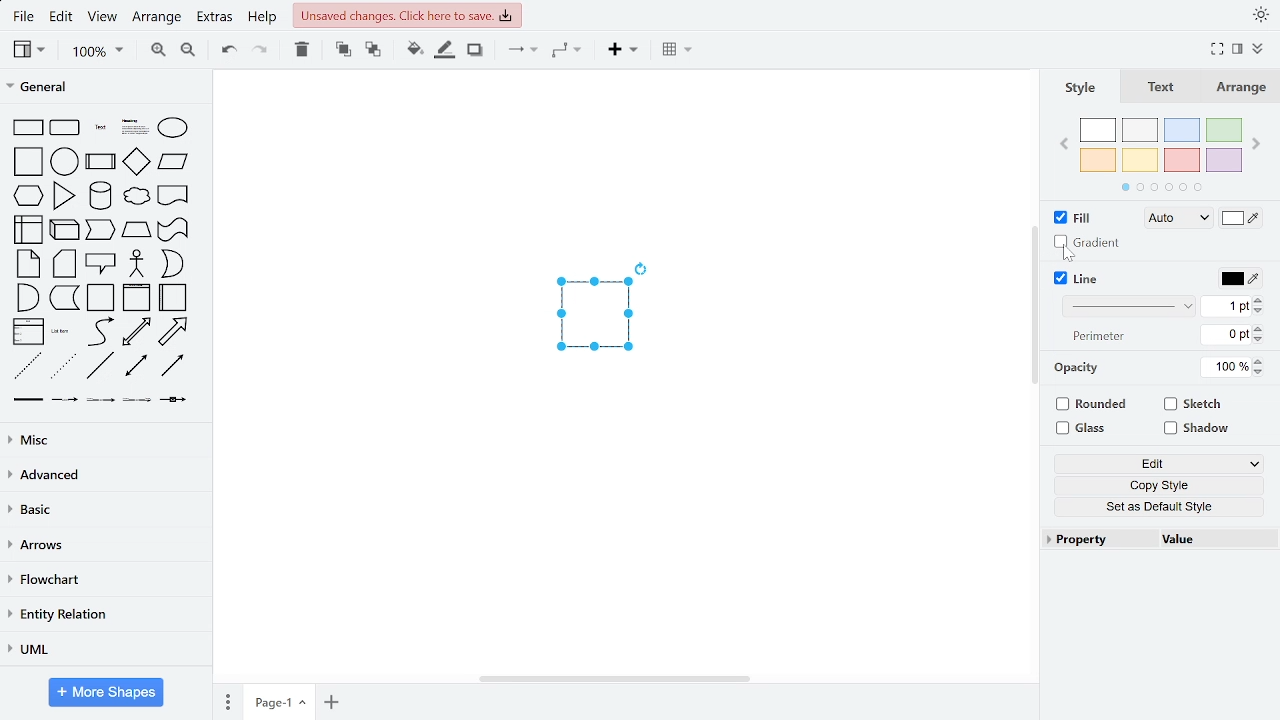  I want to click on add page, so click(331, 702).